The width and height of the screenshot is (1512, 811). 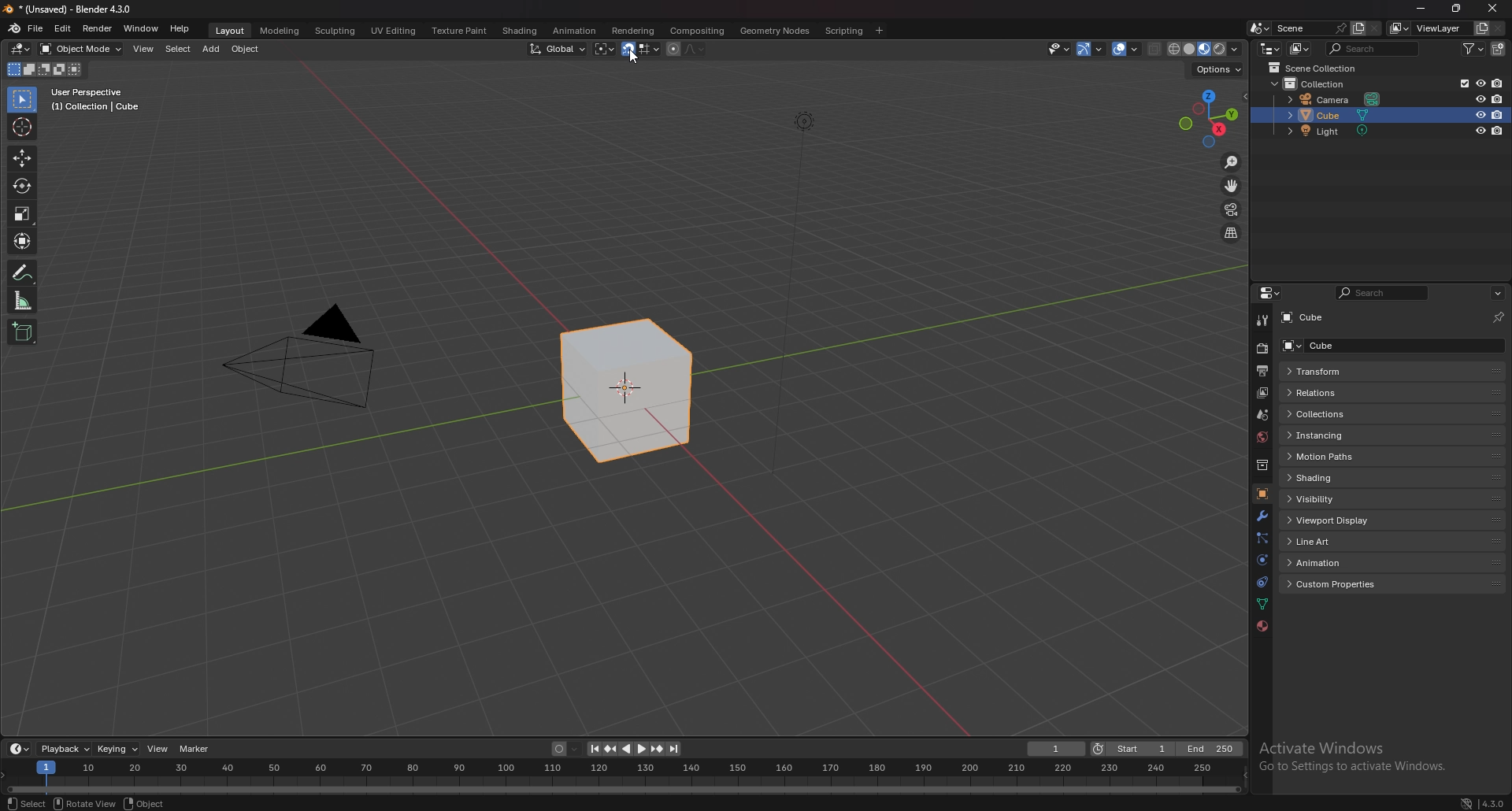 What do you see at coordinates (1264, 603) in the screenshot?
I see `data` at bounding box center [1264, 603].